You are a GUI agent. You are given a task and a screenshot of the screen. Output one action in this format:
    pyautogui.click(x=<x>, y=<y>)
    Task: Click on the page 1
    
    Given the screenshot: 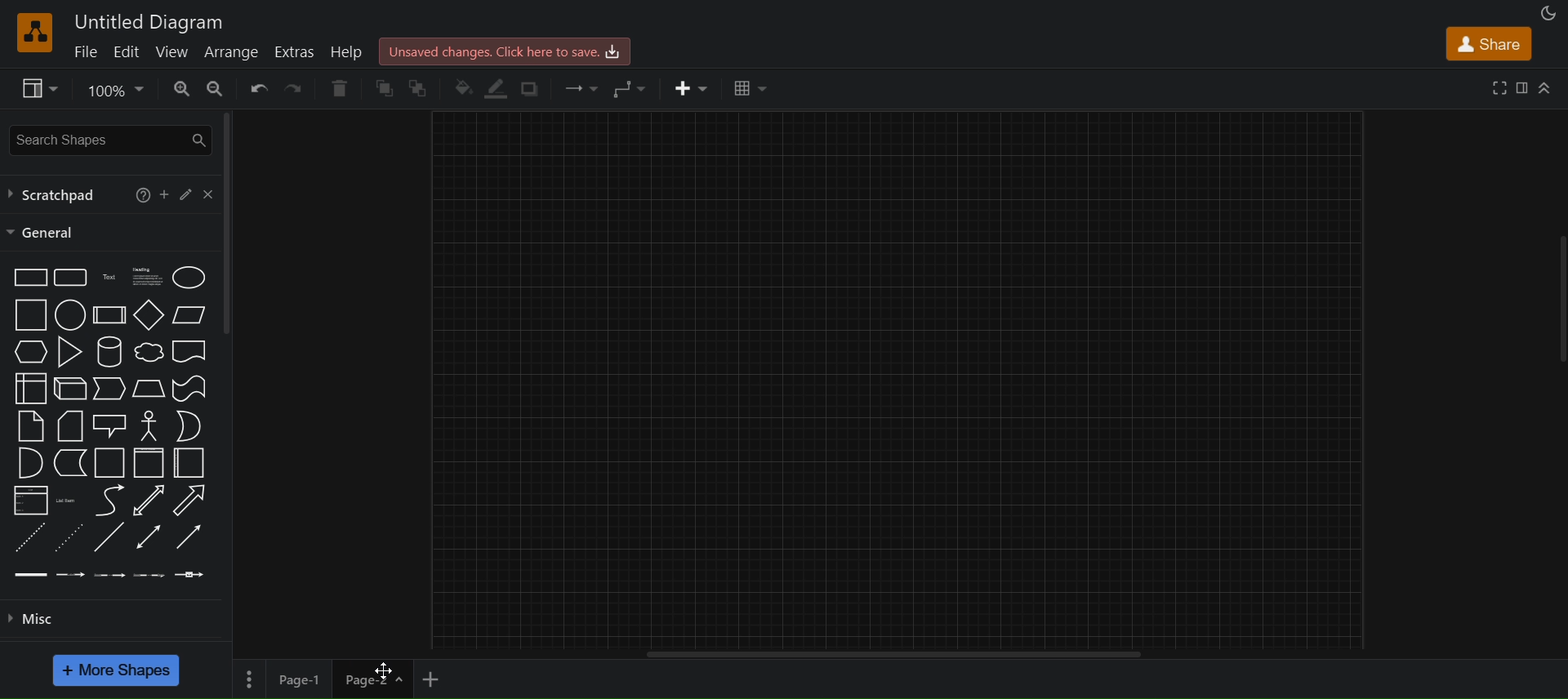 What is the action you would take?
    pyautogui.click(x=301, y=679)
    